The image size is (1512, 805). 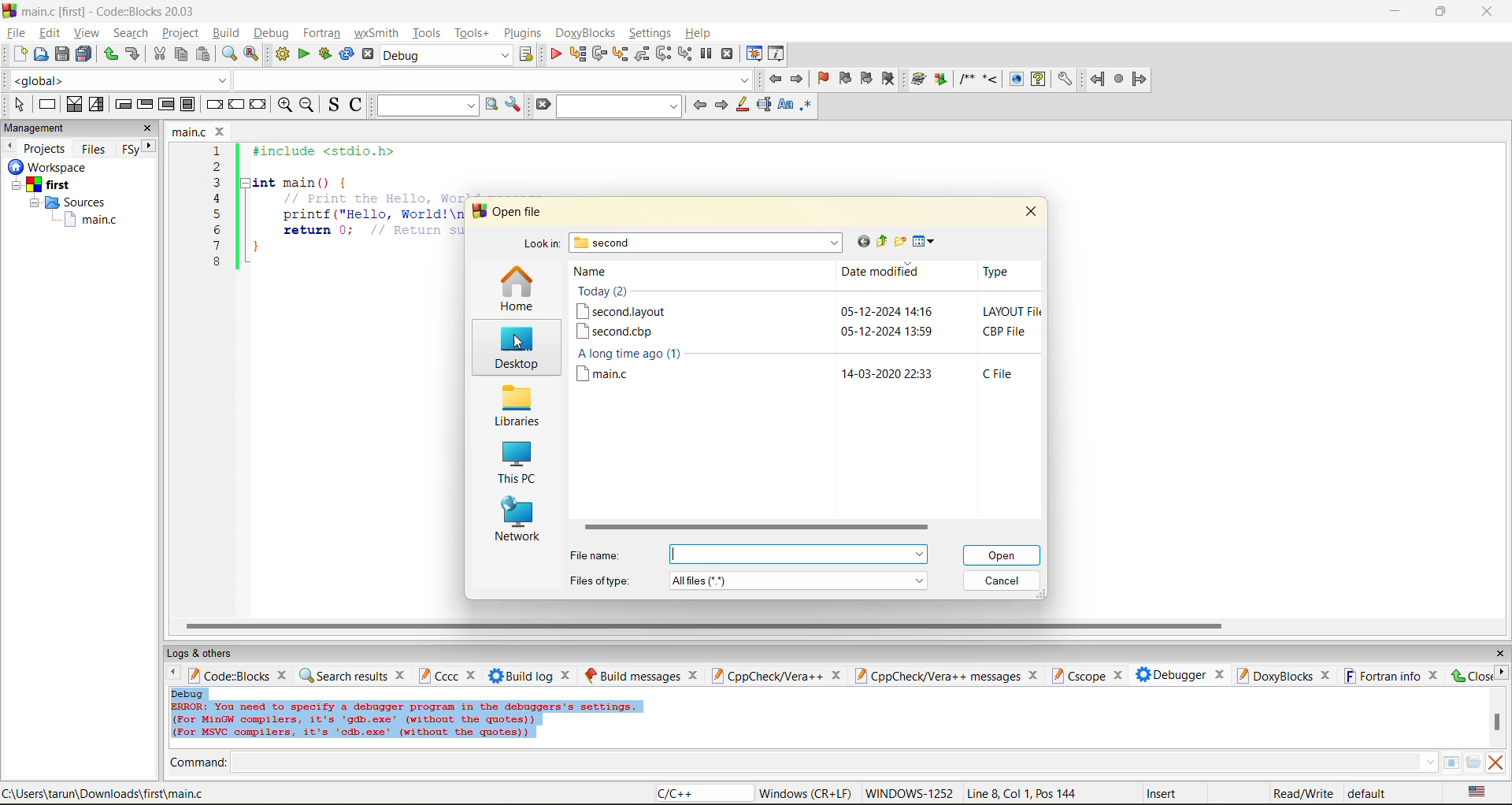 I want to click on step into instruction, so click(x=684, y=54).